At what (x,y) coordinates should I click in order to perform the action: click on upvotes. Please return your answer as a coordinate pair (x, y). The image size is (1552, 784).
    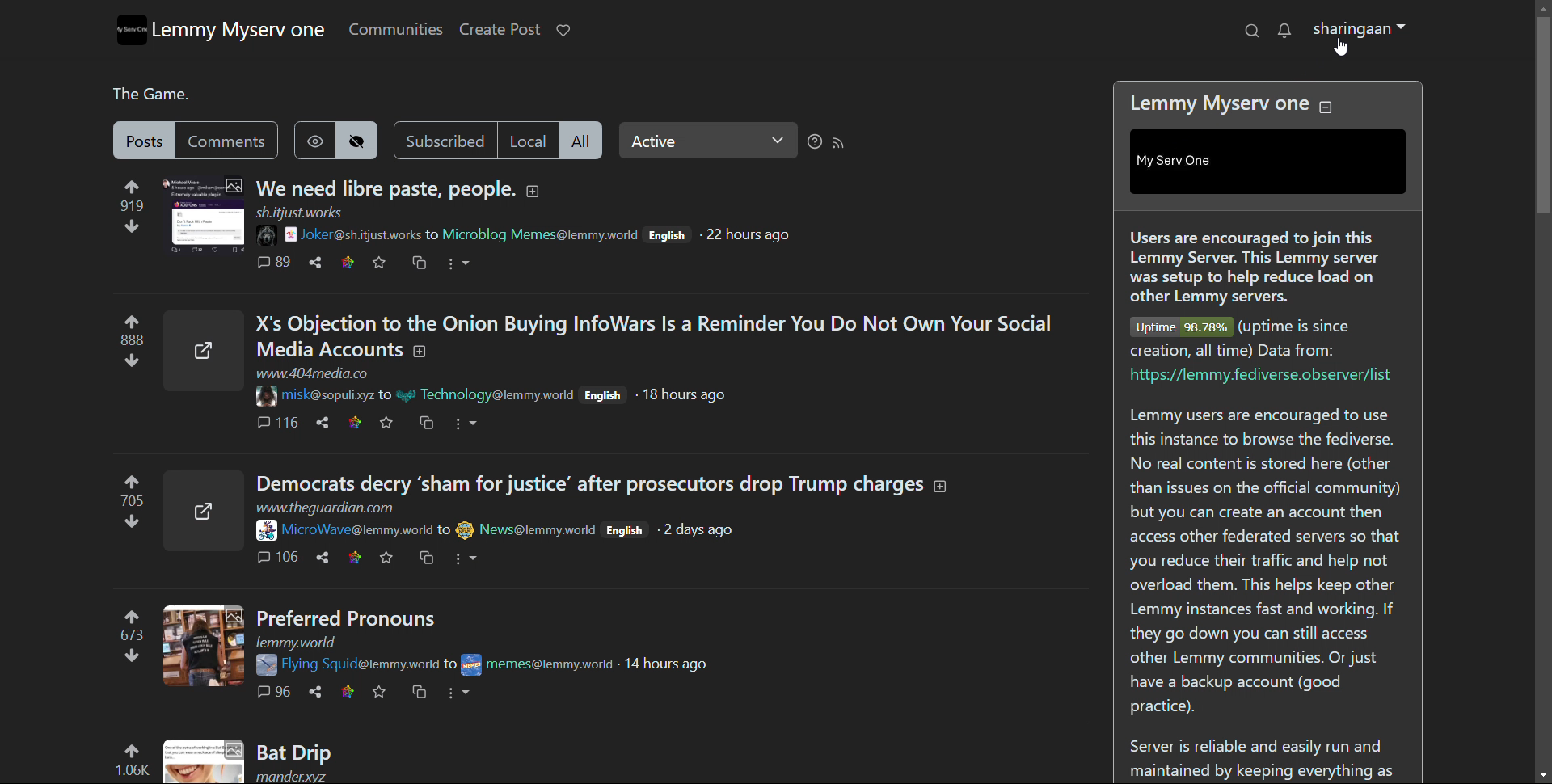
    Looking at the image, I should click on (127, 753).